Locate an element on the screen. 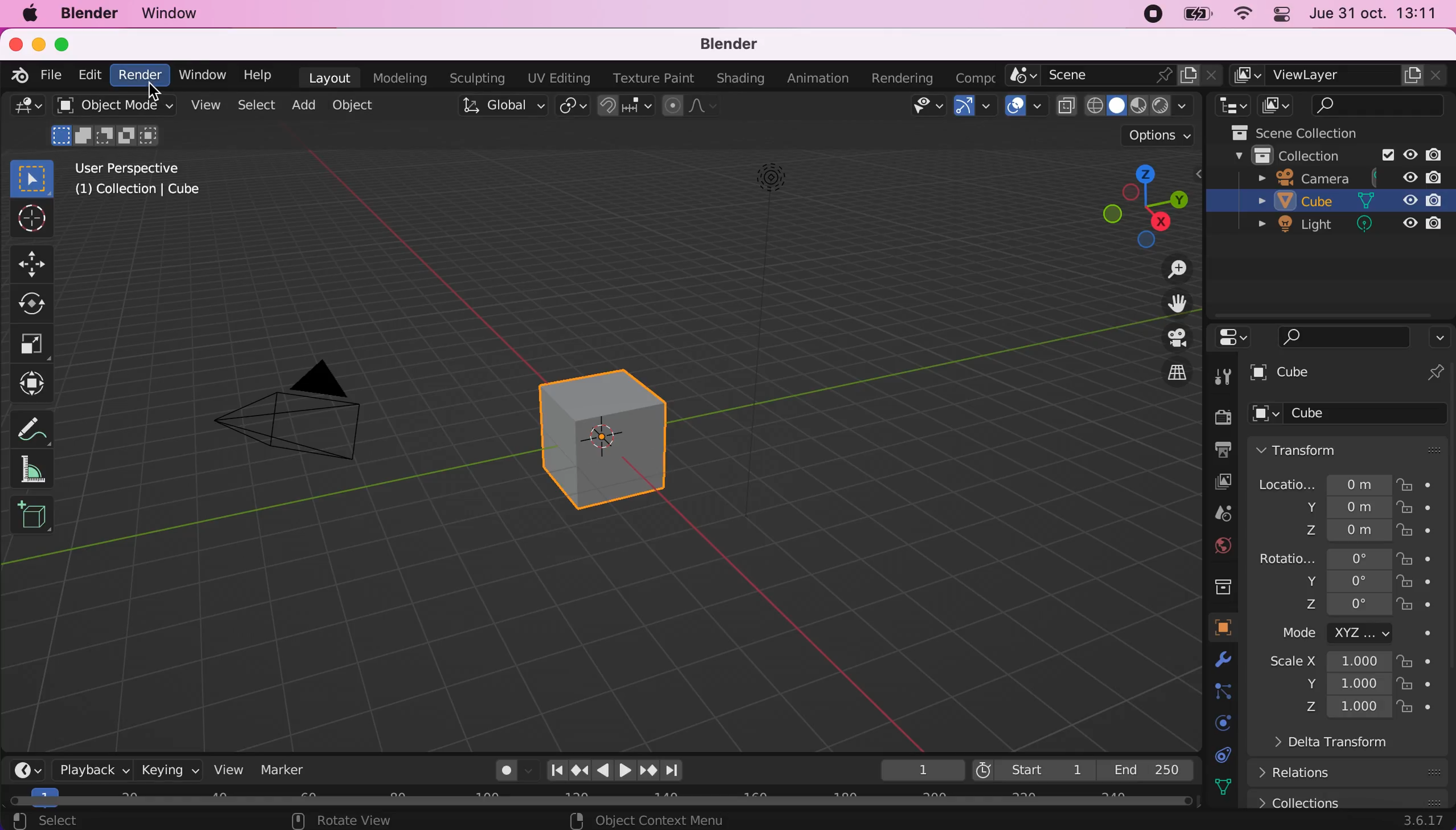 The image size is (1456, 830). camera is located at coordinates (312, 414).